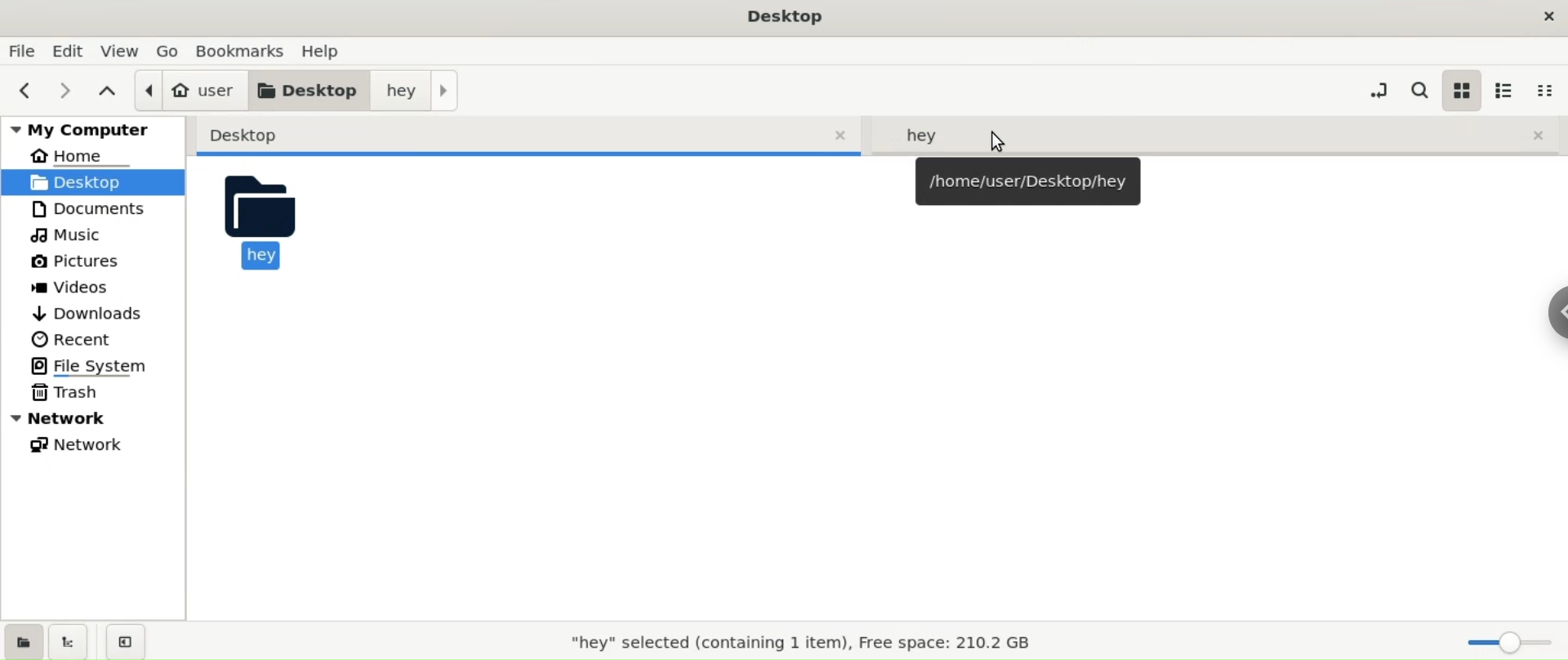  I want to click on desktop, so click(311, 90).